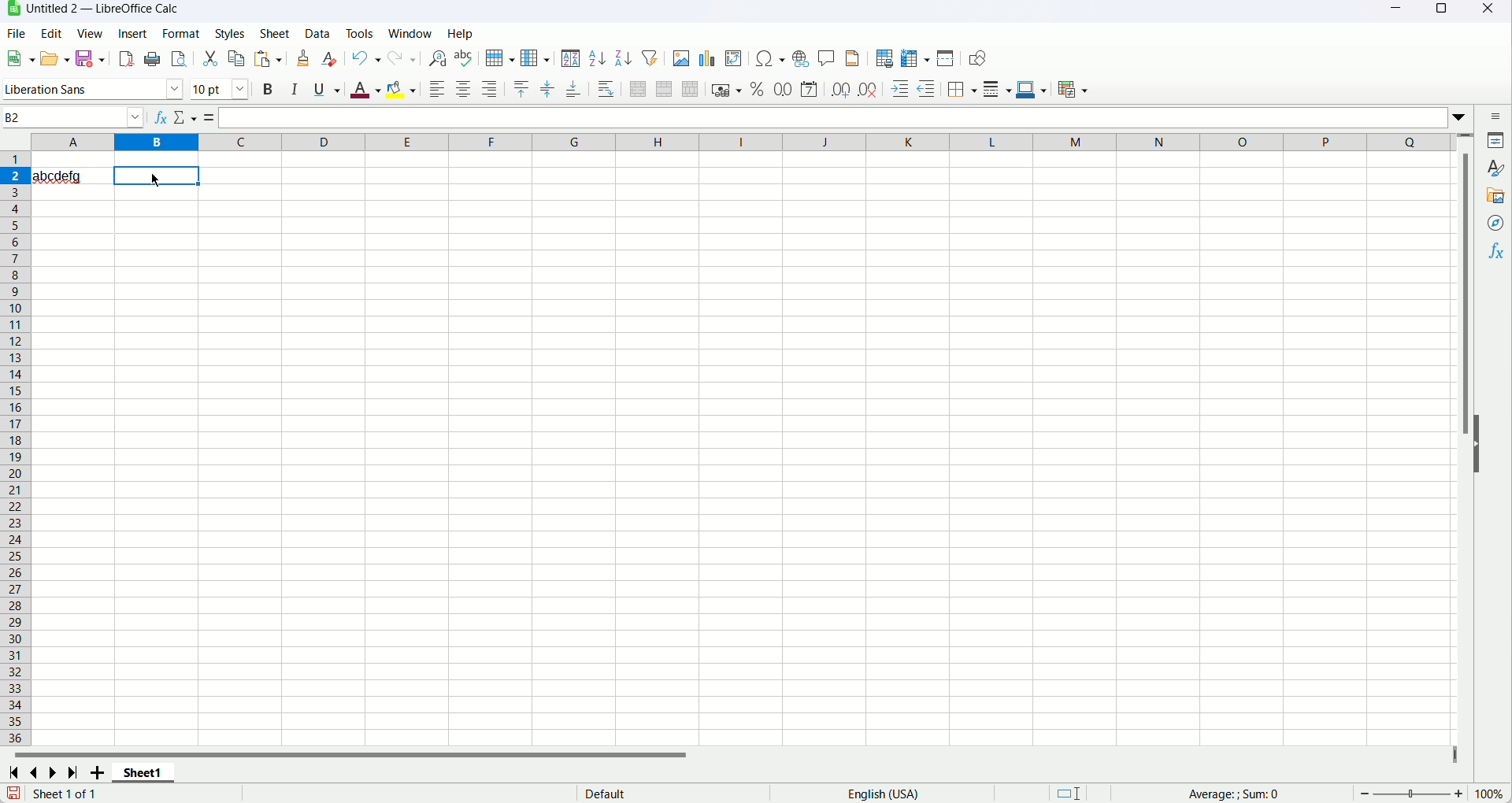 Image resolution: width=1512 pixels, height=803 pixels. What do you see at coordinates (1398, 9) in the screenshot?
I see `minimize` at bounding box center [1398, 9].